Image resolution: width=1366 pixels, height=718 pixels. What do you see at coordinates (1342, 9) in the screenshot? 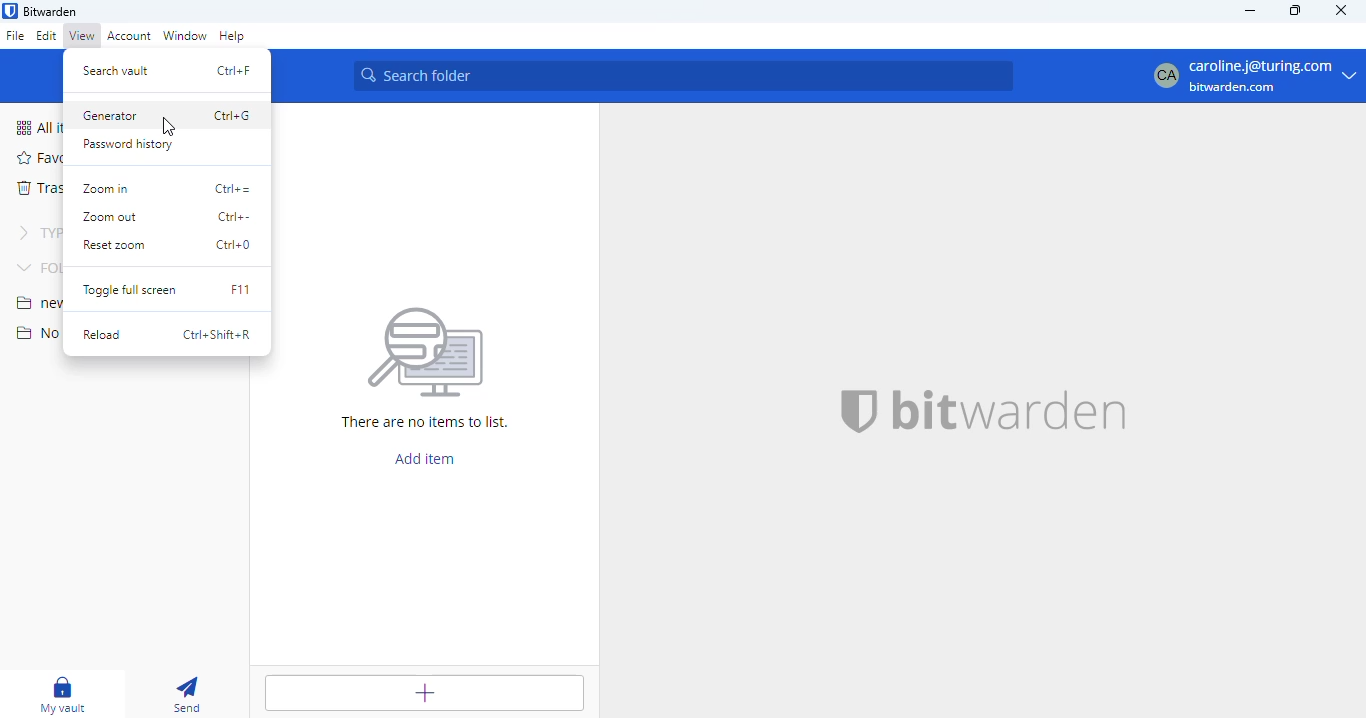
I see `close` at bounding box center [1342, 9].